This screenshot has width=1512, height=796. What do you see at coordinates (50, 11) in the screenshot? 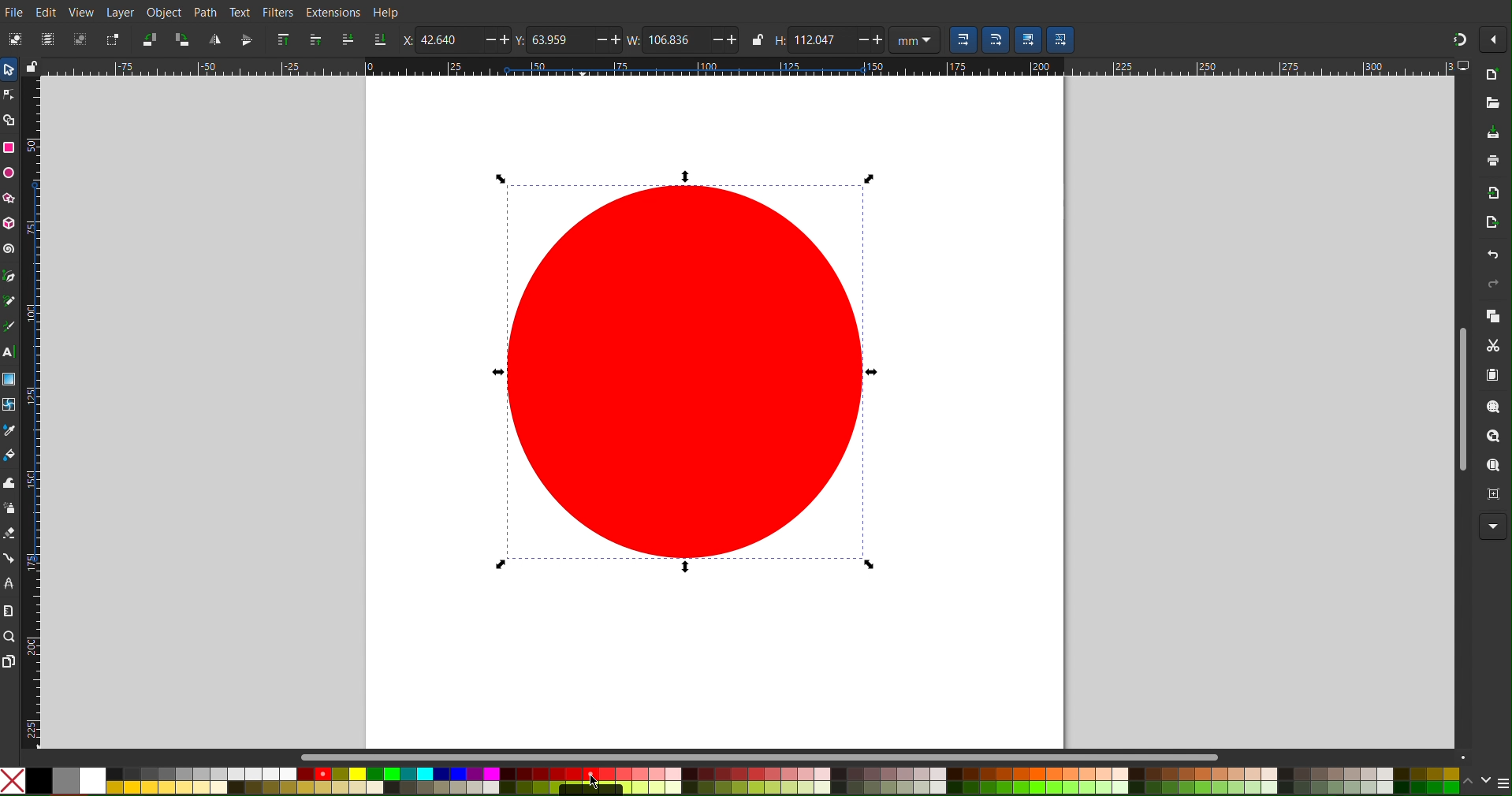
I see `Edit` at bounding box center [50, 11].